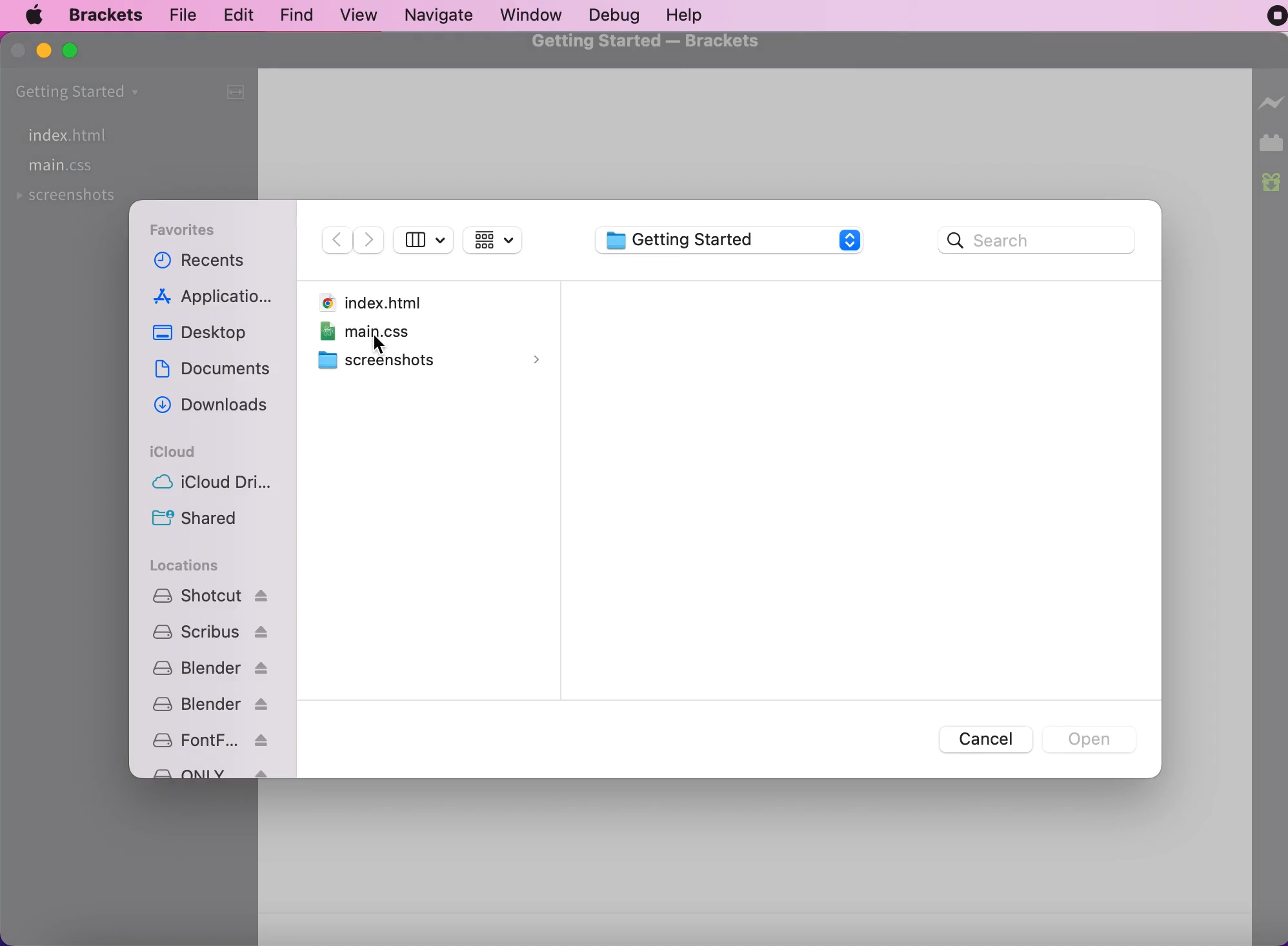 The image size is (1288, 946). I want to click on slit the editor vertically or horizontally, so click(239, 97).